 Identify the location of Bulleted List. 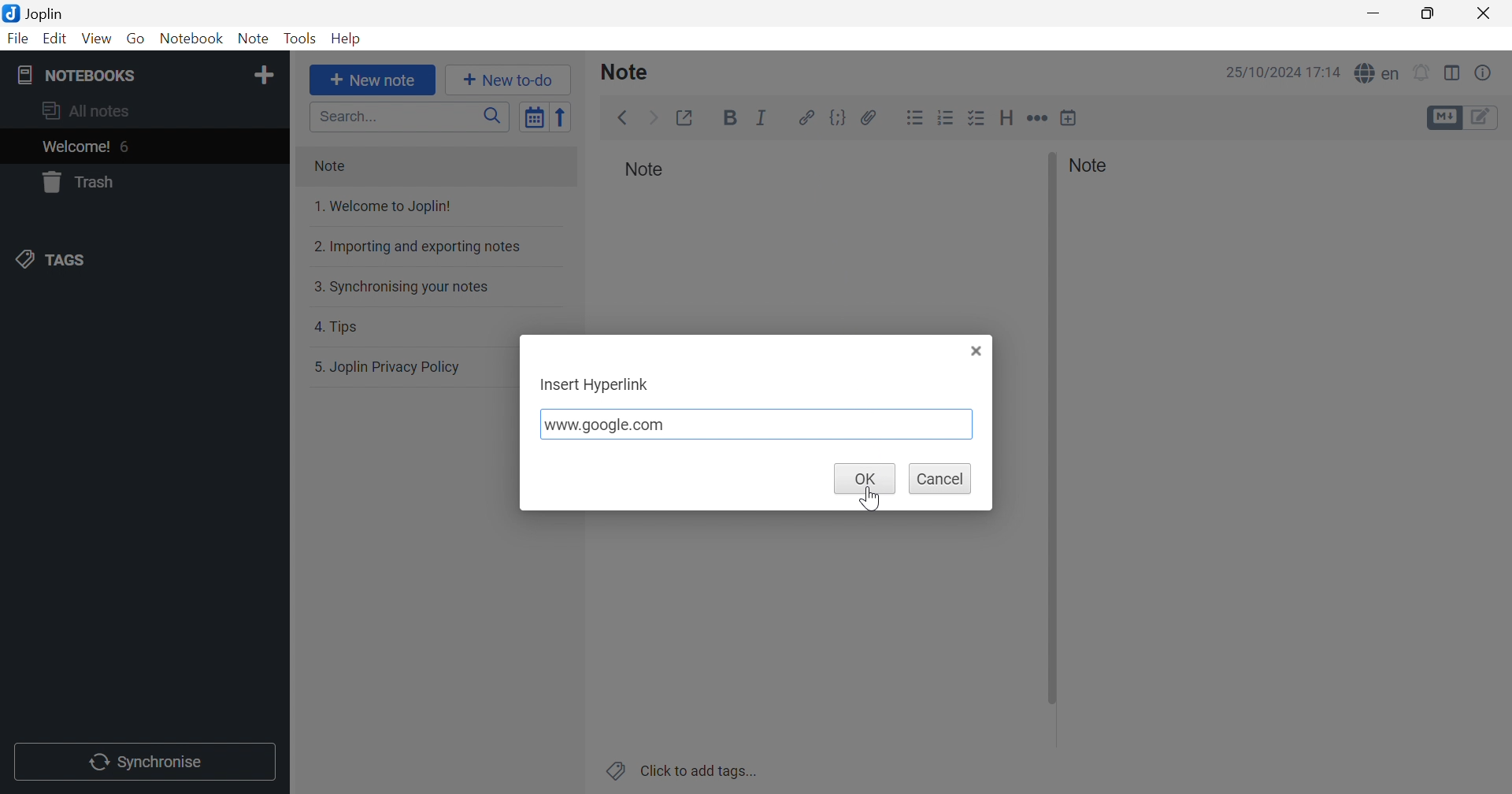
(915, 117).